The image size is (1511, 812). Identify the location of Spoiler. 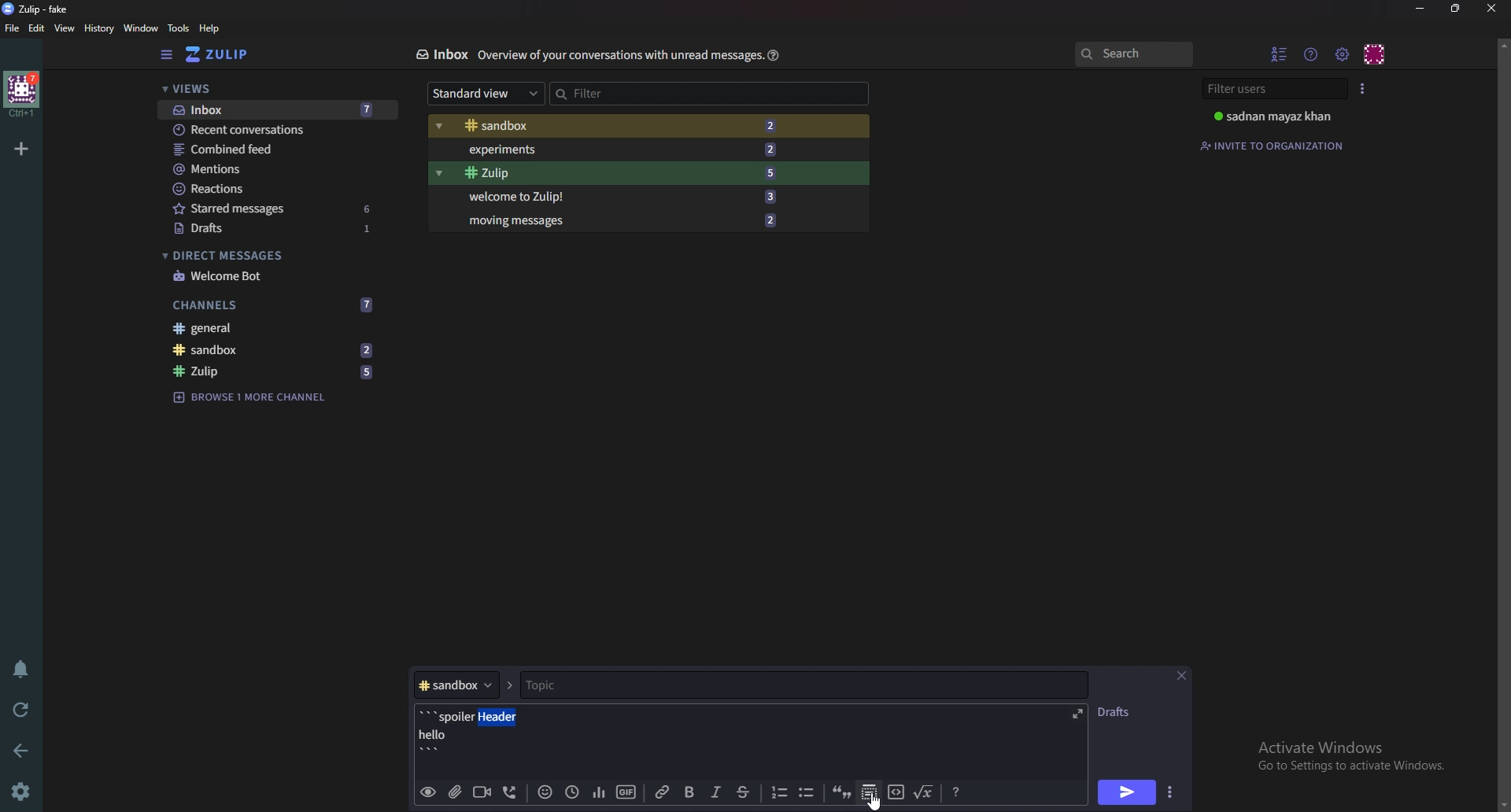
(869, 792).